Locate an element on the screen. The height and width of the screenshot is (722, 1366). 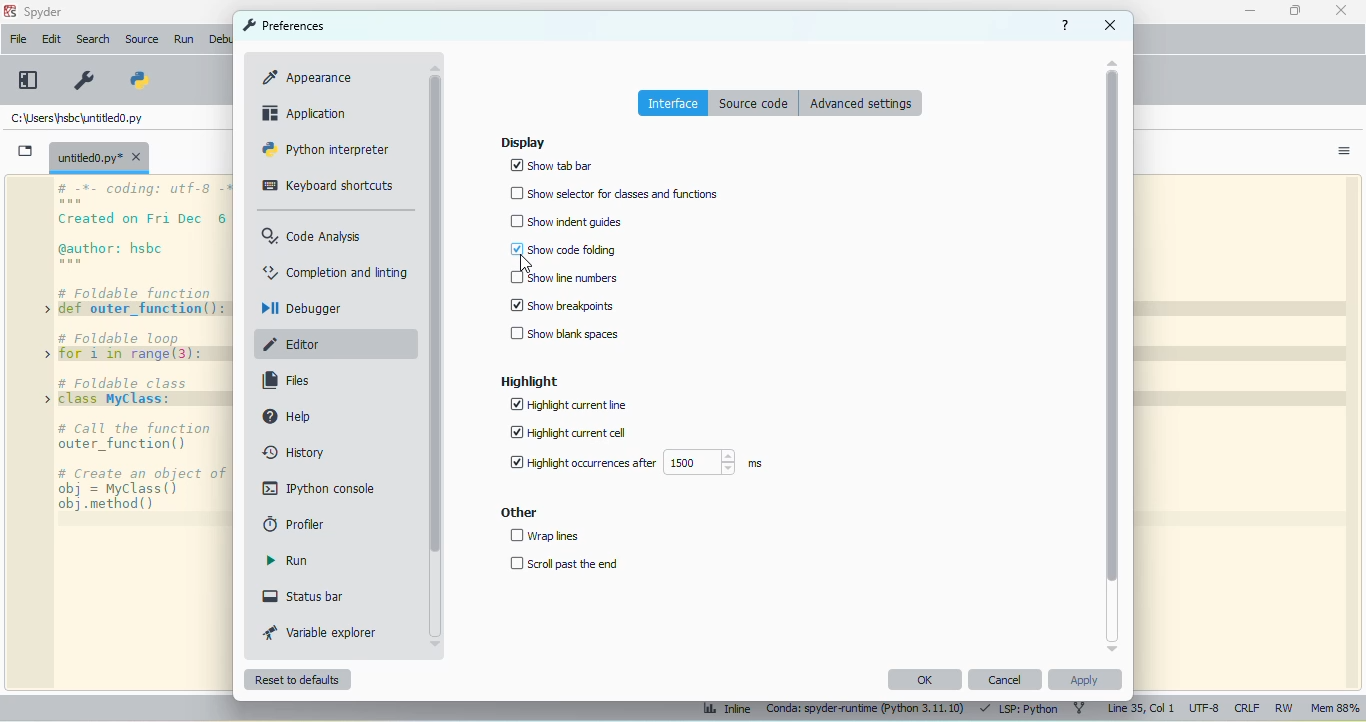
inline is located at coordinates (725, 711).